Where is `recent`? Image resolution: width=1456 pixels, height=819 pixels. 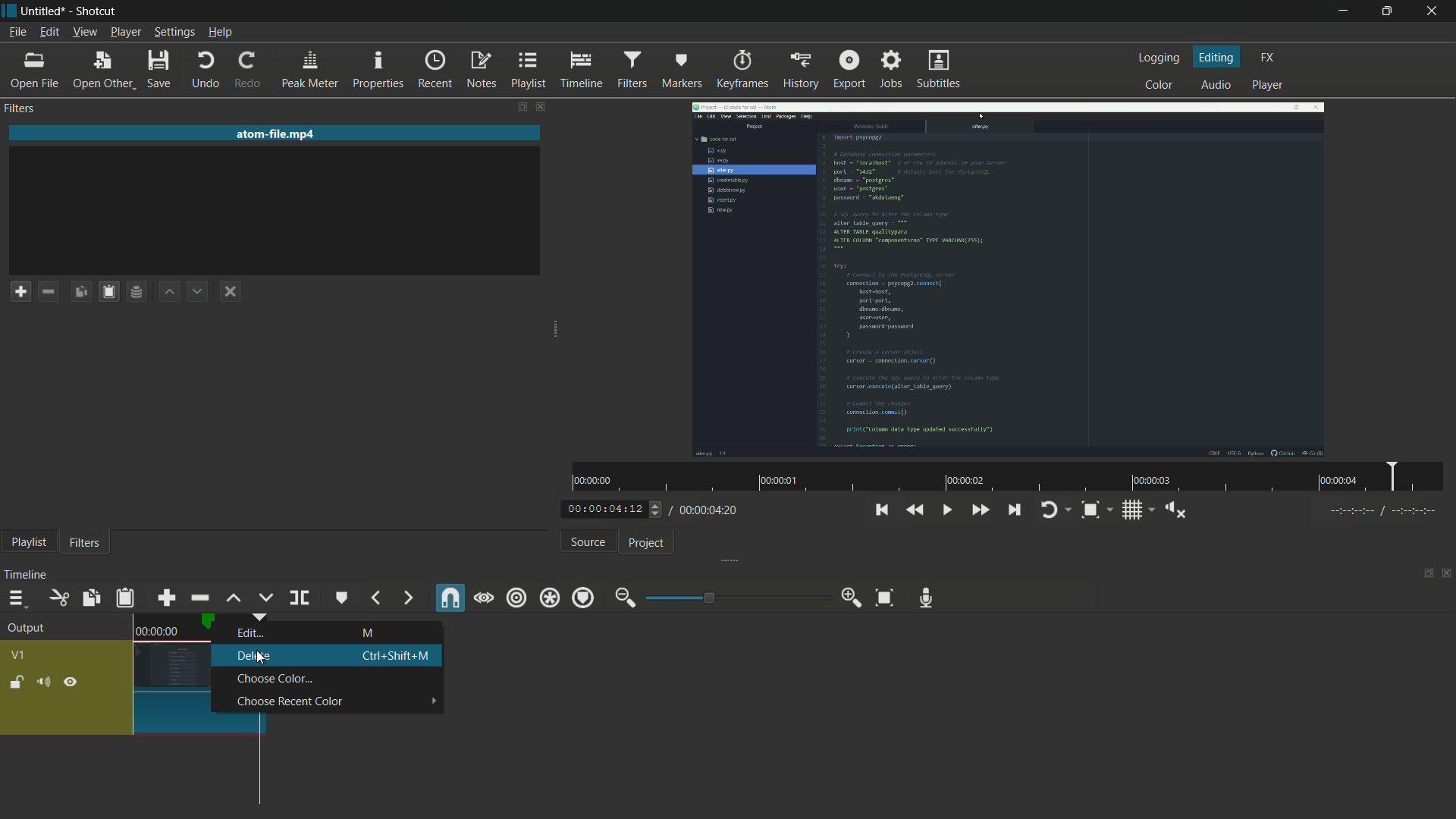 recent is located at coordinates (434, 69).